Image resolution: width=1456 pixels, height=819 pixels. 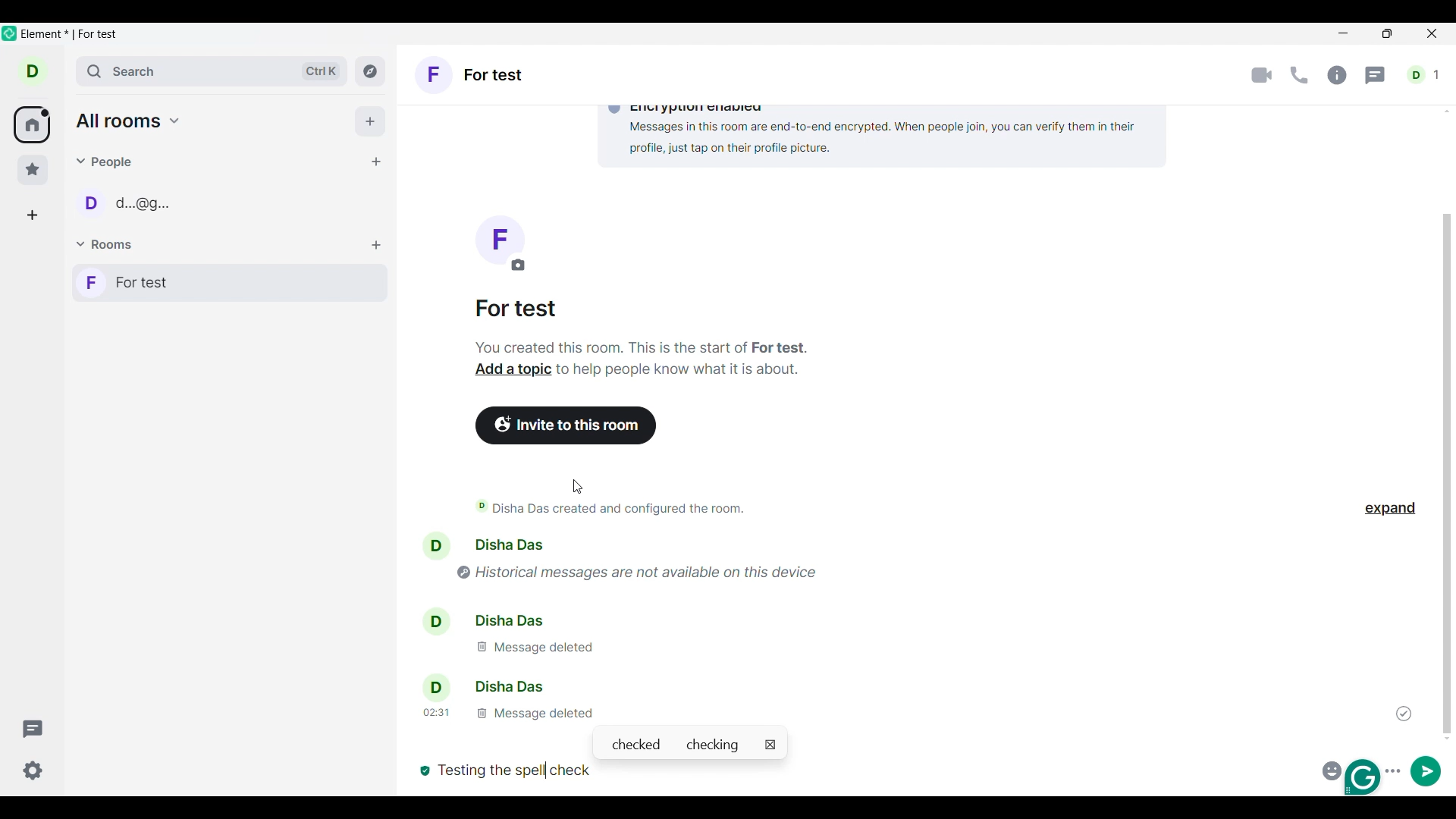 I want to click on Current settings, so click(x=33, y=770).